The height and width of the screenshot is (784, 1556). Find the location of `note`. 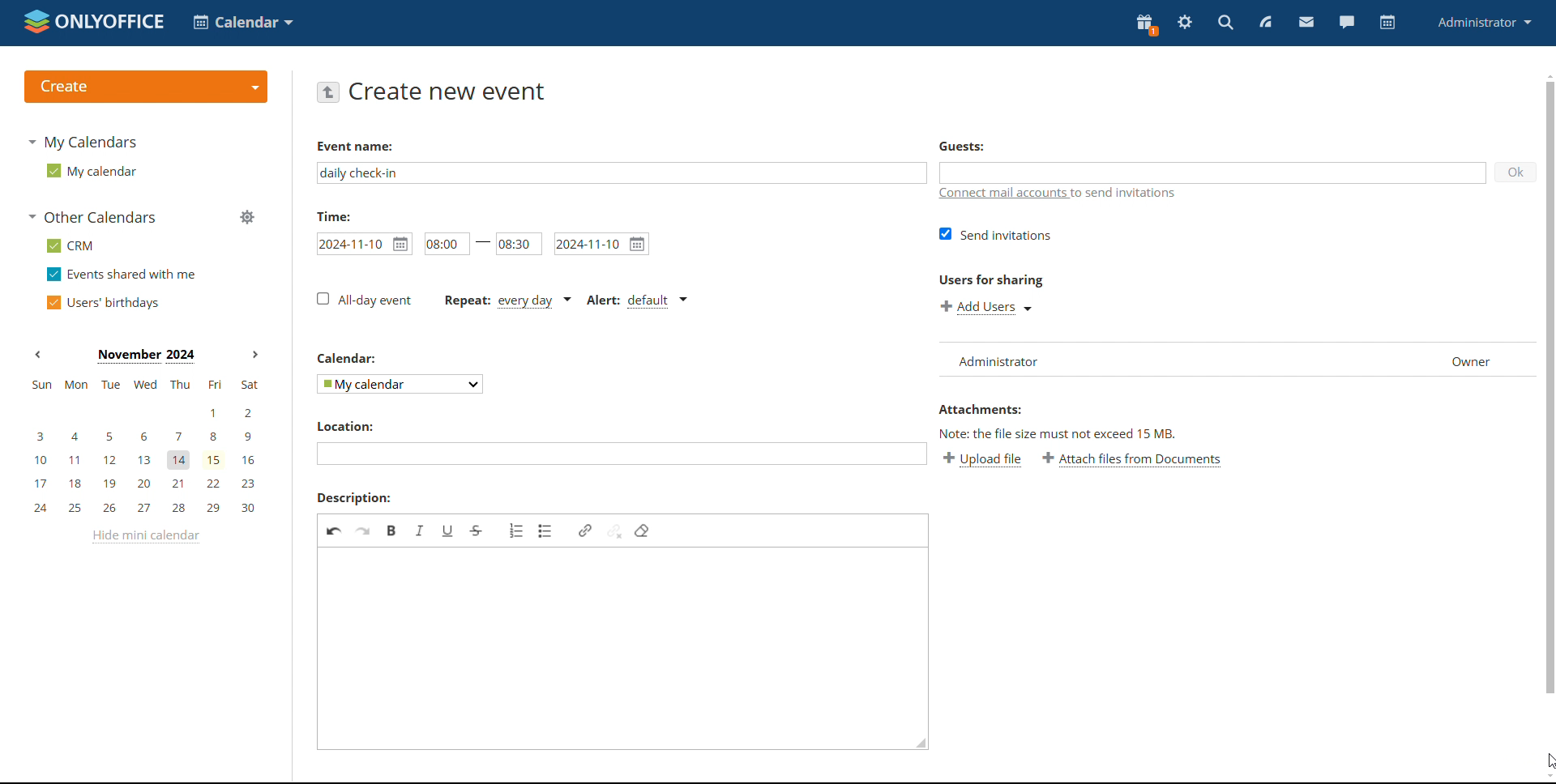

note is located at coordinates (1084, 435).